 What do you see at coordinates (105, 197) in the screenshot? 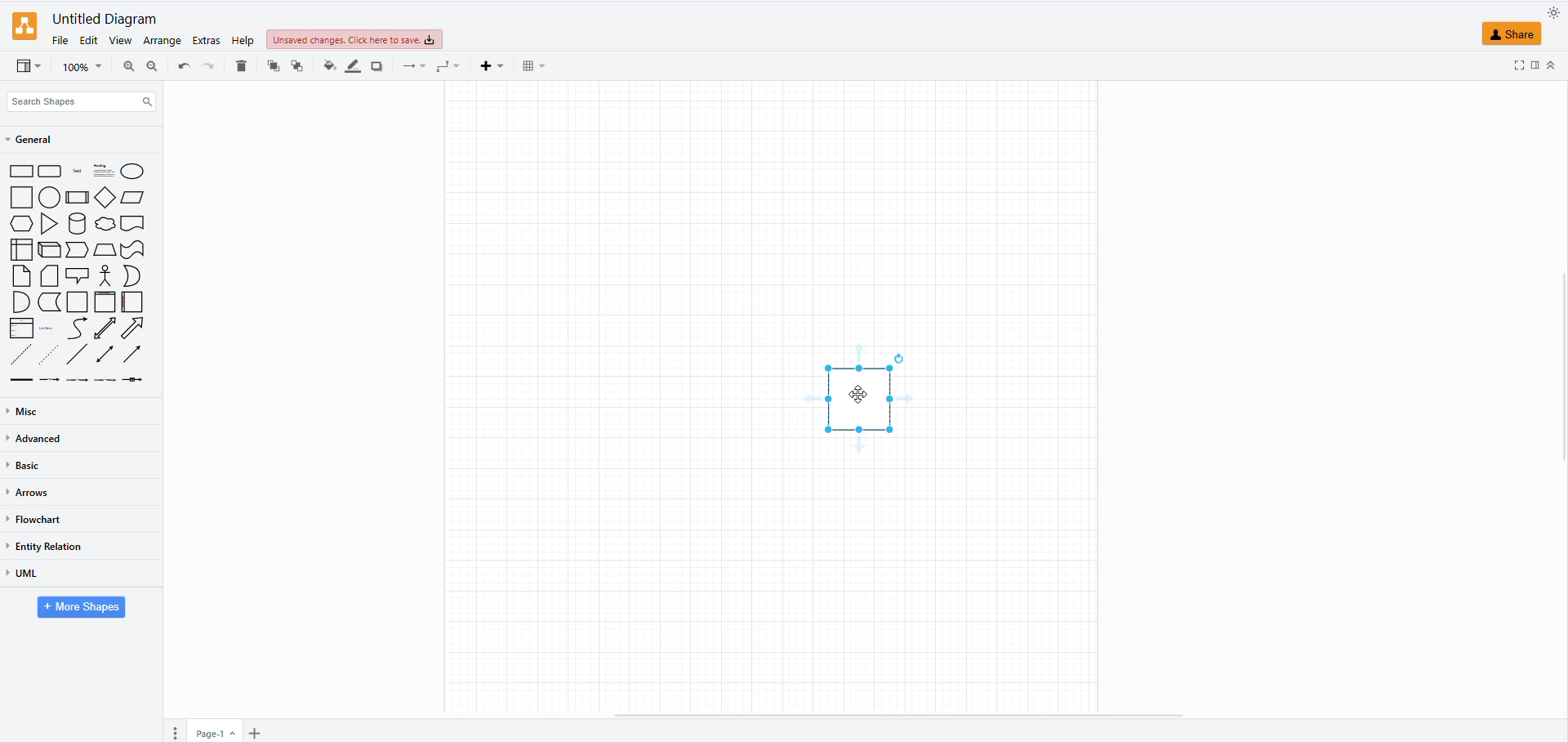
I see `diamond` at bounding box center [105, 197].